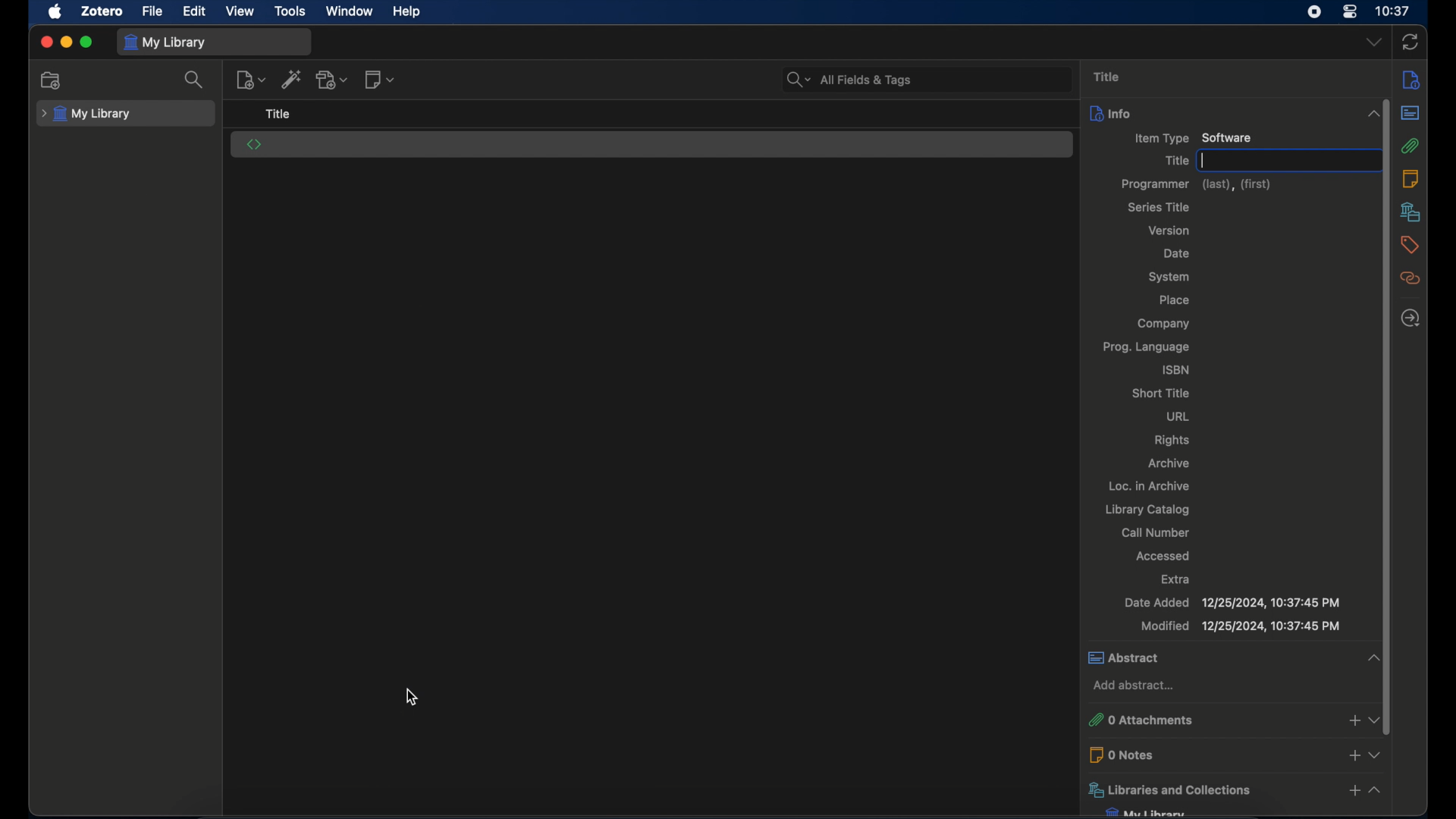 Image resolution: width=1456 pixels, height=819 pixels. What do you see at coordinates (1164, 555) in the screenshot?
I see `accessed` at bounding box center [1164, 555].